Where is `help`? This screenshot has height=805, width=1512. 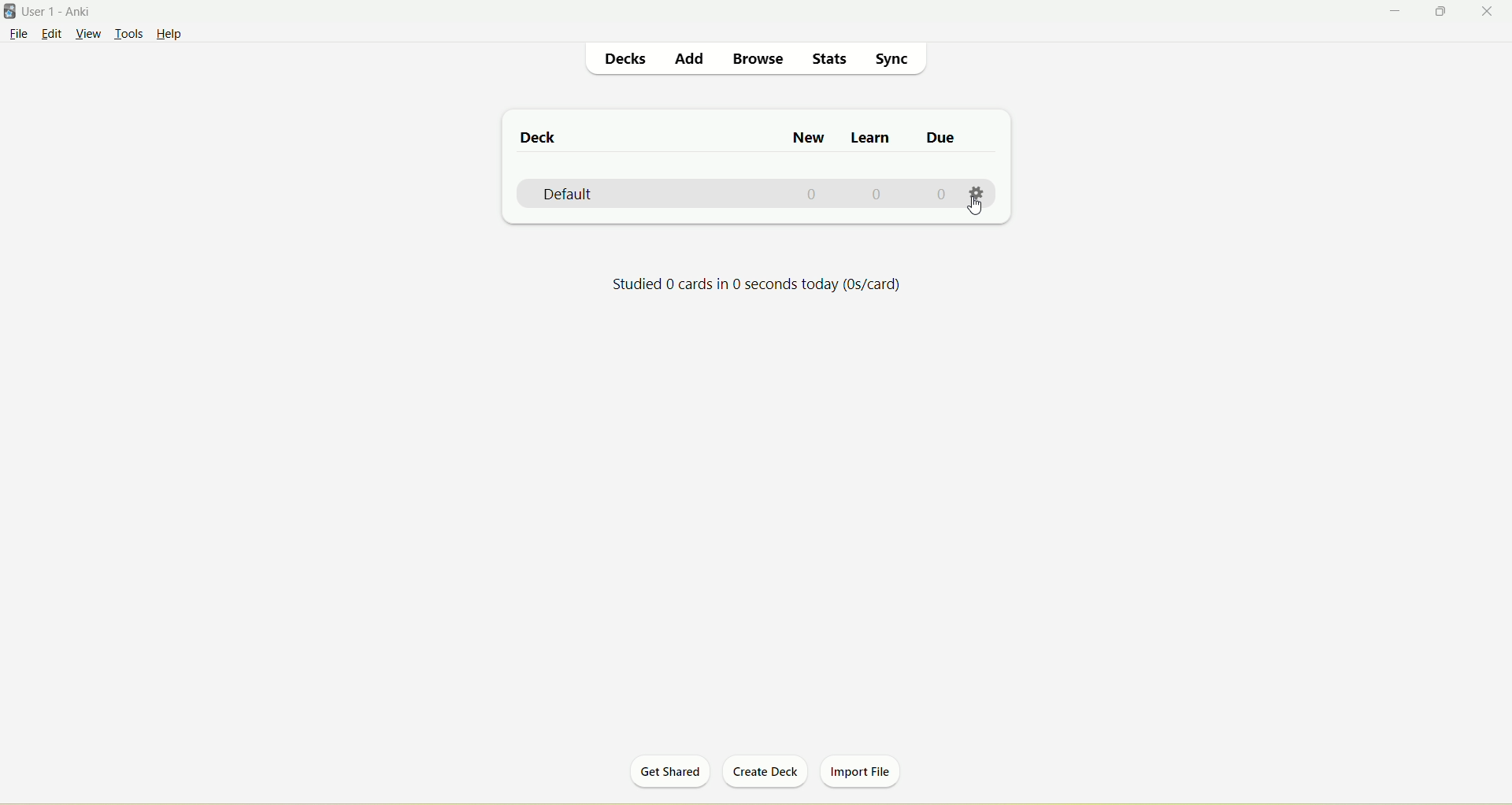
help is located at coordinates (173, 34).